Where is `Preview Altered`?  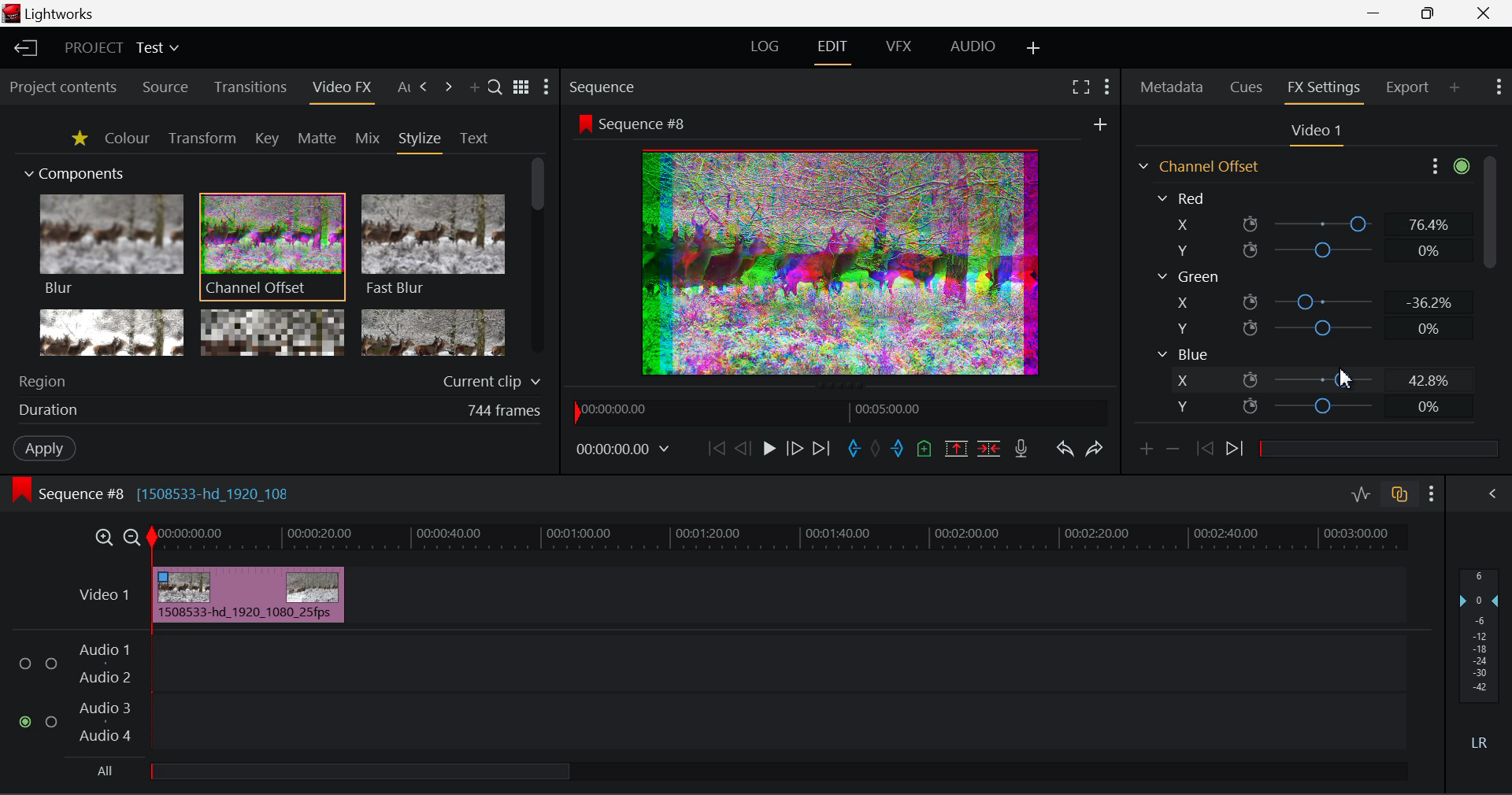
Preview Altered is located at coordinates (841, 260).